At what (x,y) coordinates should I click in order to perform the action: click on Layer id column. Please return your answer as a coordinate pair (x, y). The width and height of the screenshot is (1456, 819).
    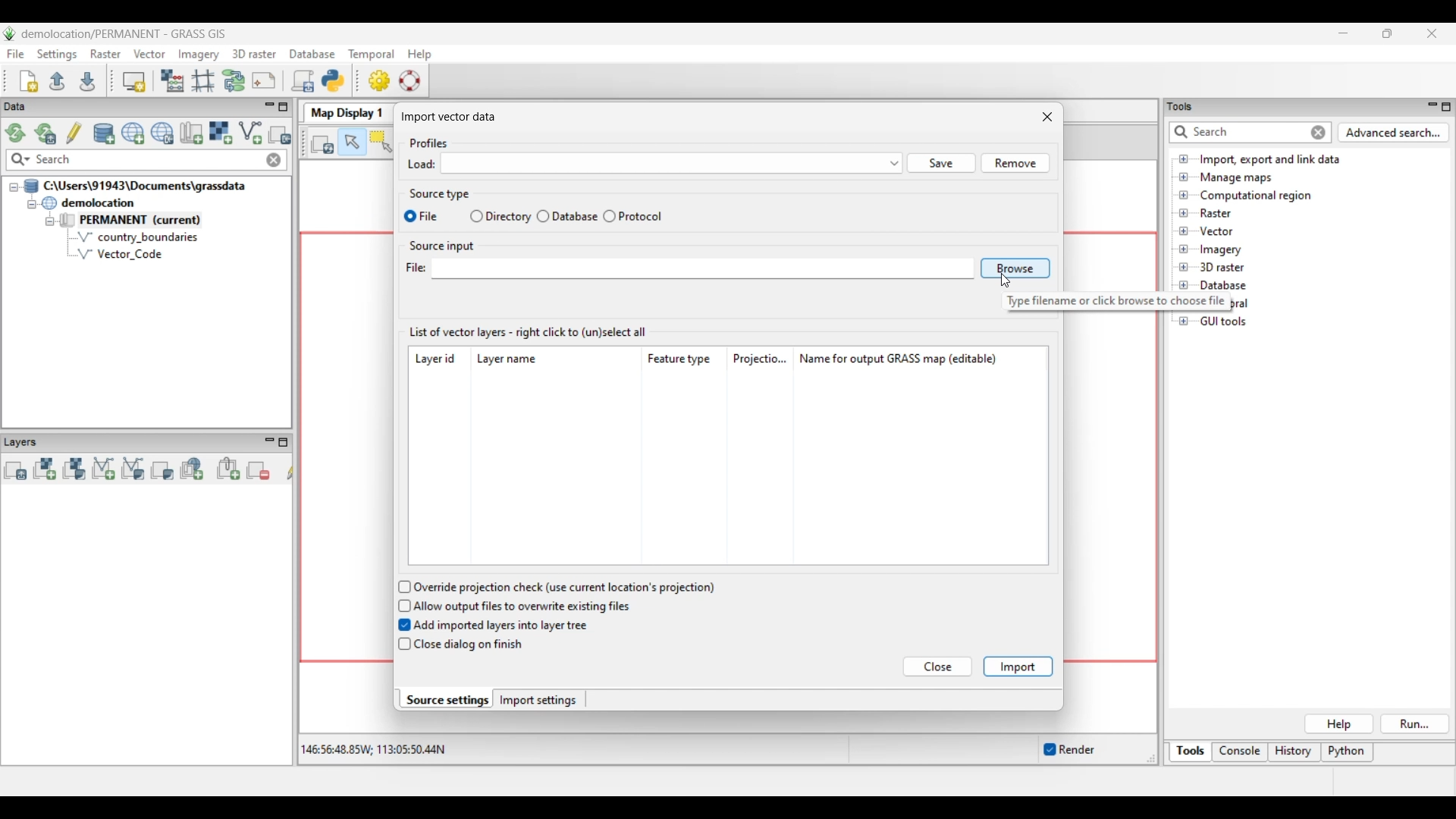
    Looking at the image, I should click on (438, 358).